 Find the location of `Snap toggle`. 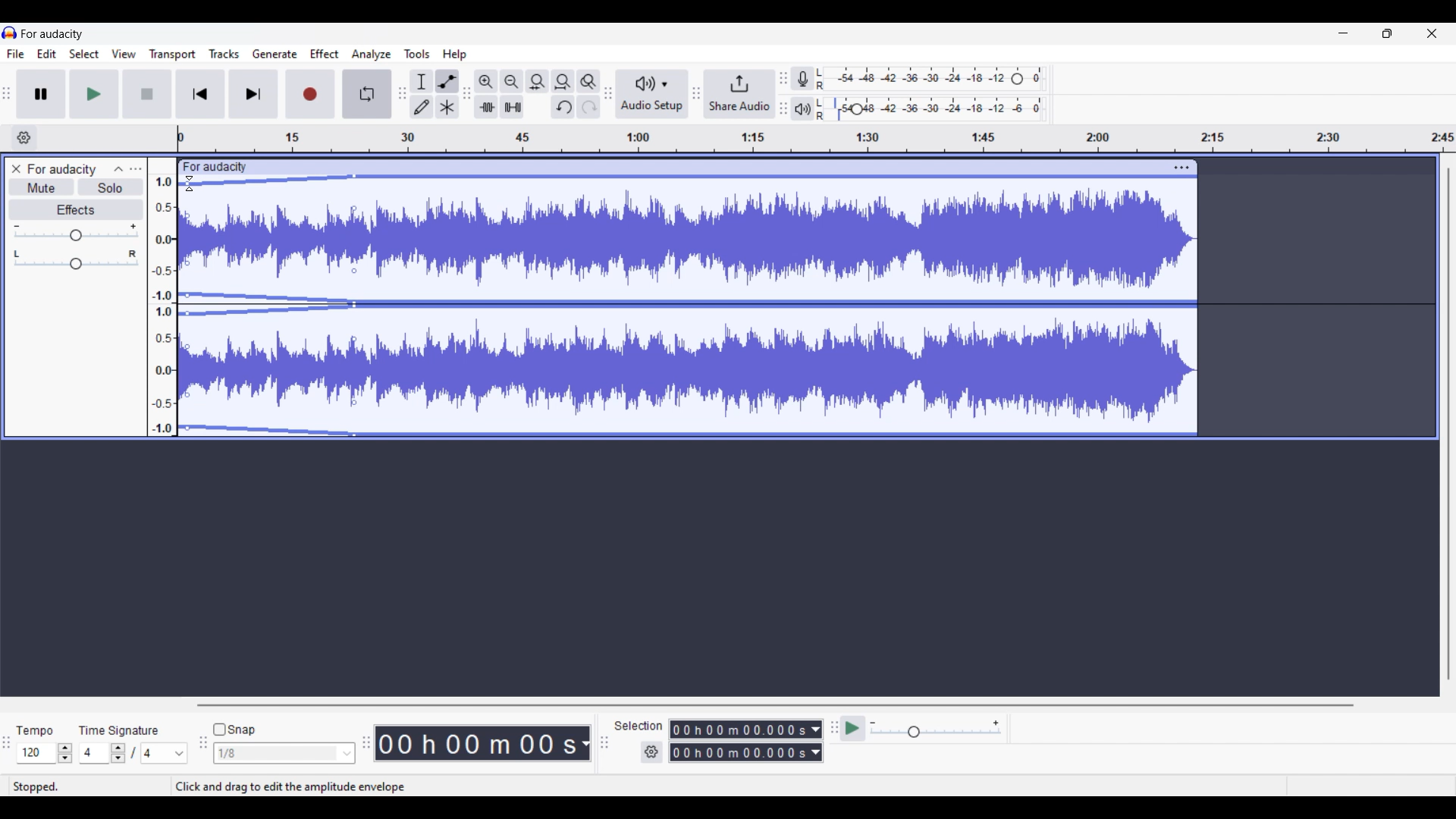

Snap toggle is located at coordinates (234, 730).